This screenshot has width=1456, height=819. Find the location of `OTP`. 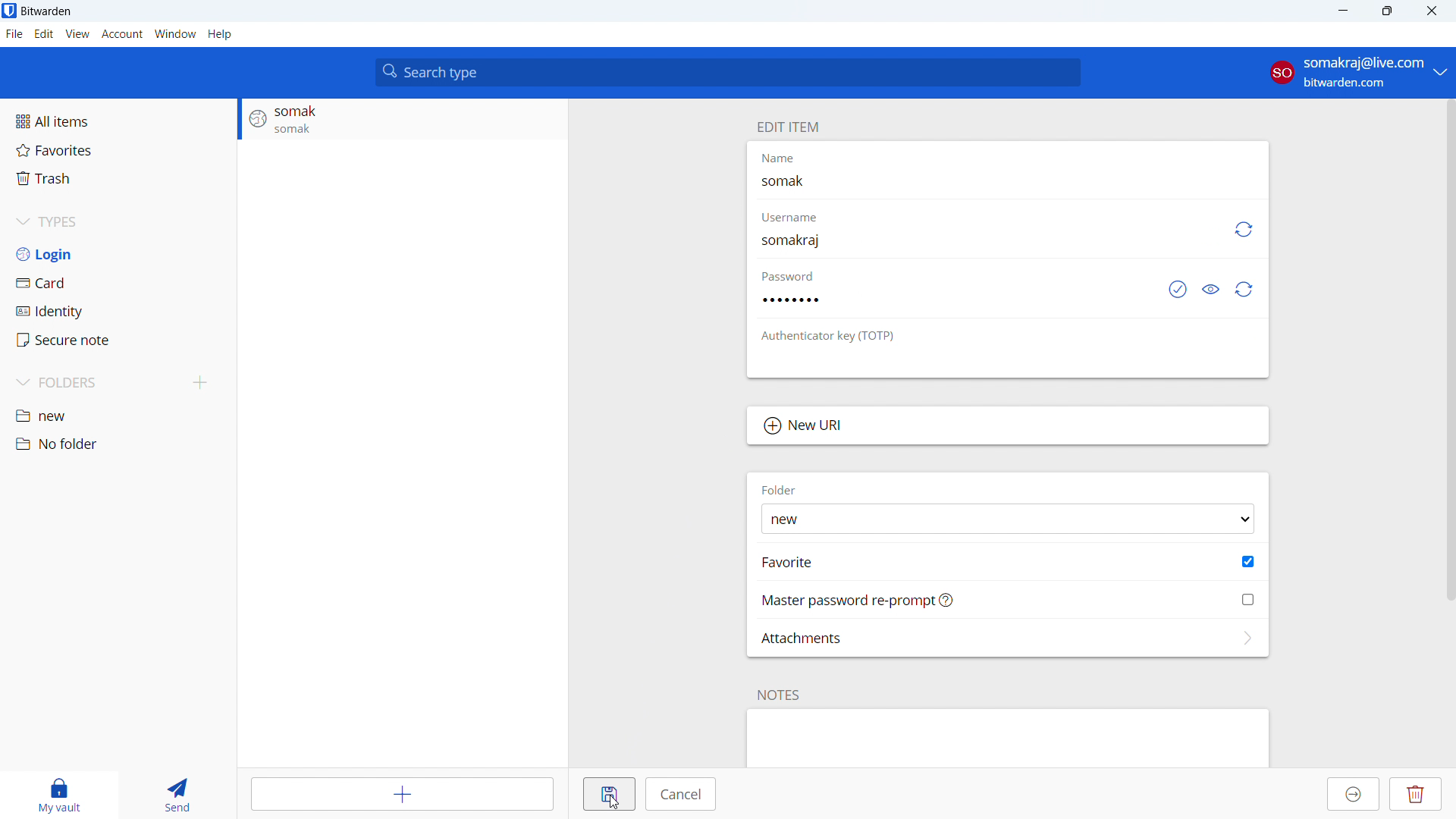

OTP is located at coordinates (838, 337).